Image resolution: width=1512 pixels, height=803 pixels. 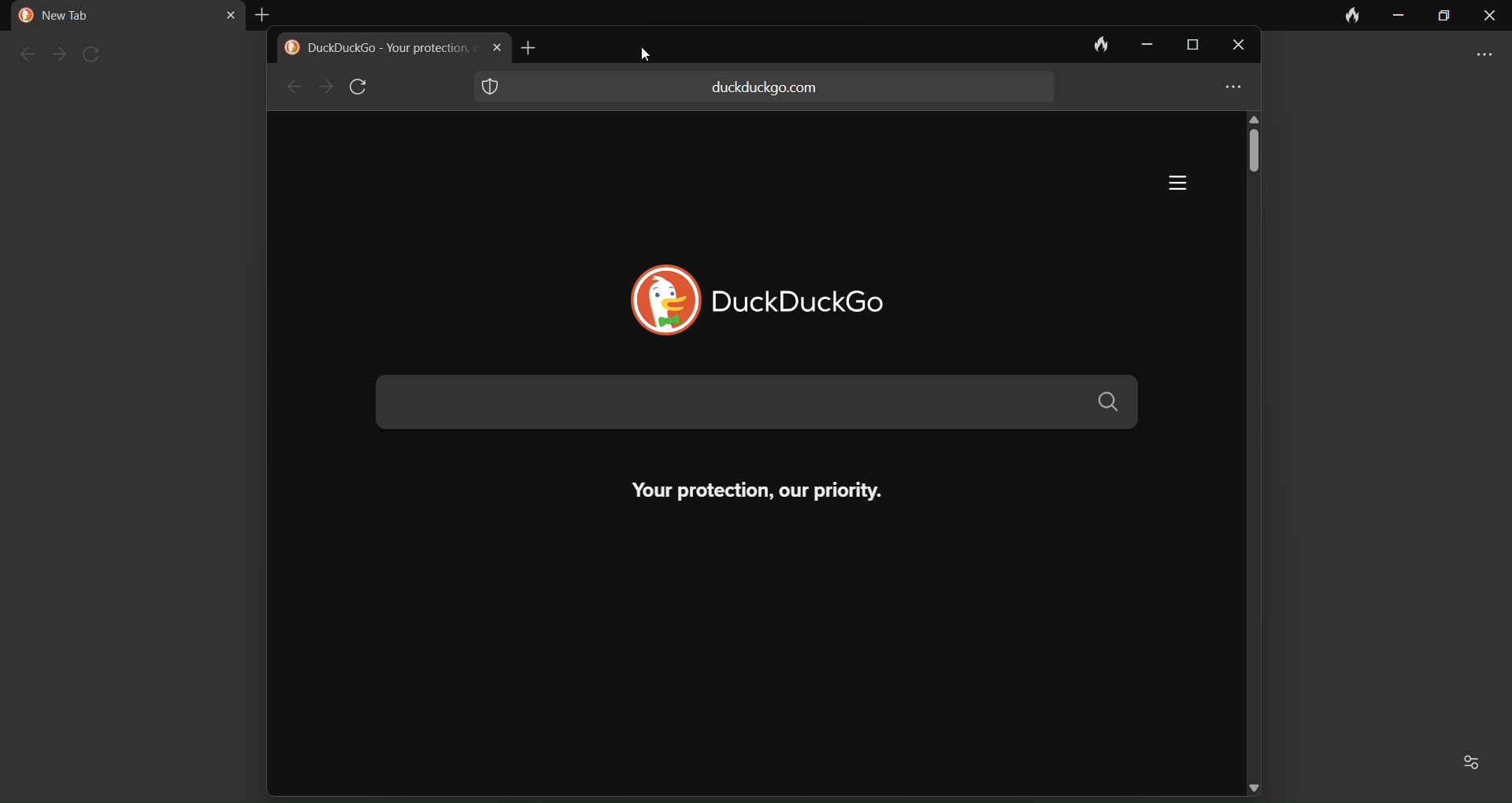 I want to click on cursor, so click(x=654, y=57).